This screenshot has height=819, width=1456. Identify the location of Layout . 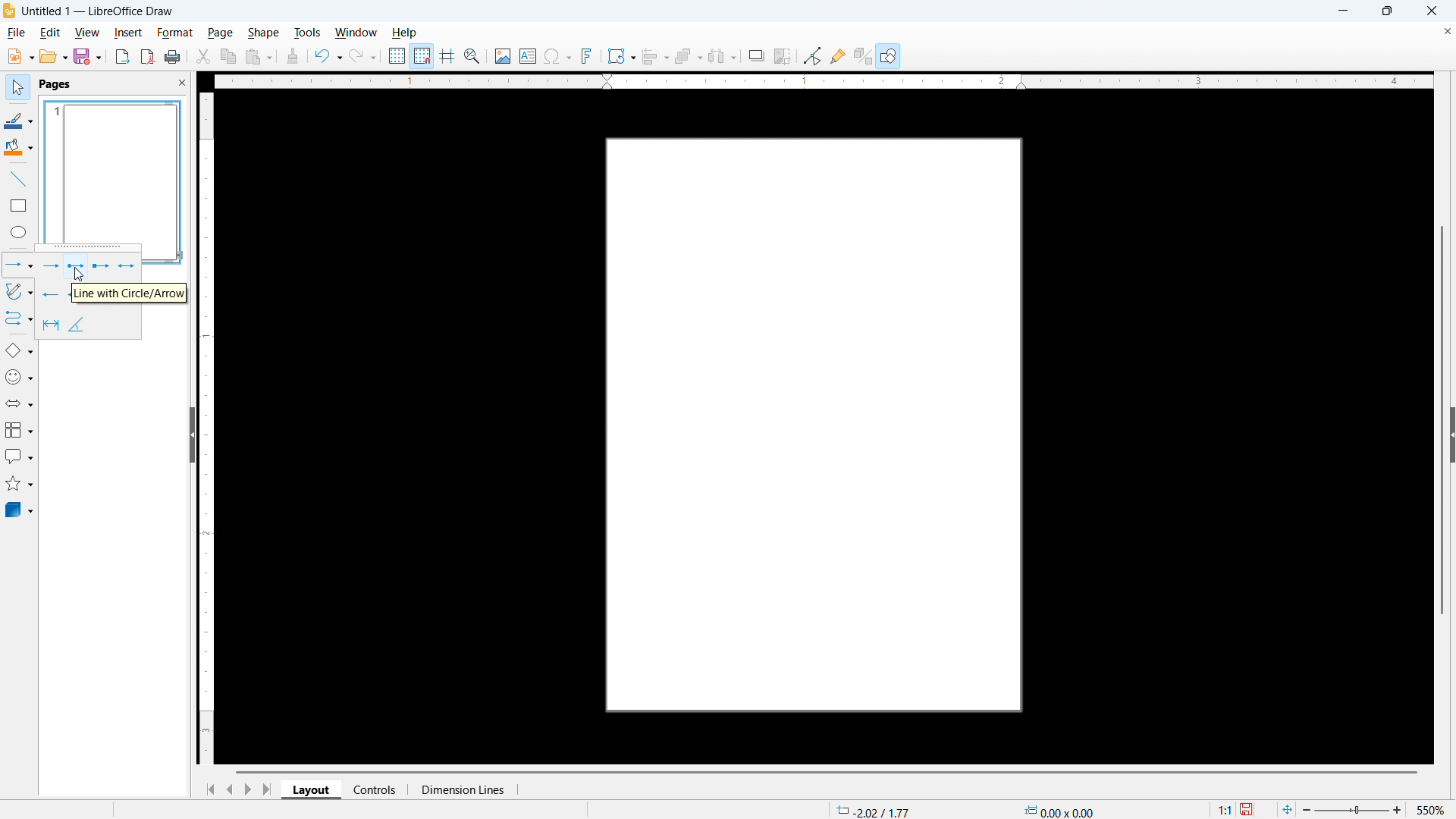
(312, 789).